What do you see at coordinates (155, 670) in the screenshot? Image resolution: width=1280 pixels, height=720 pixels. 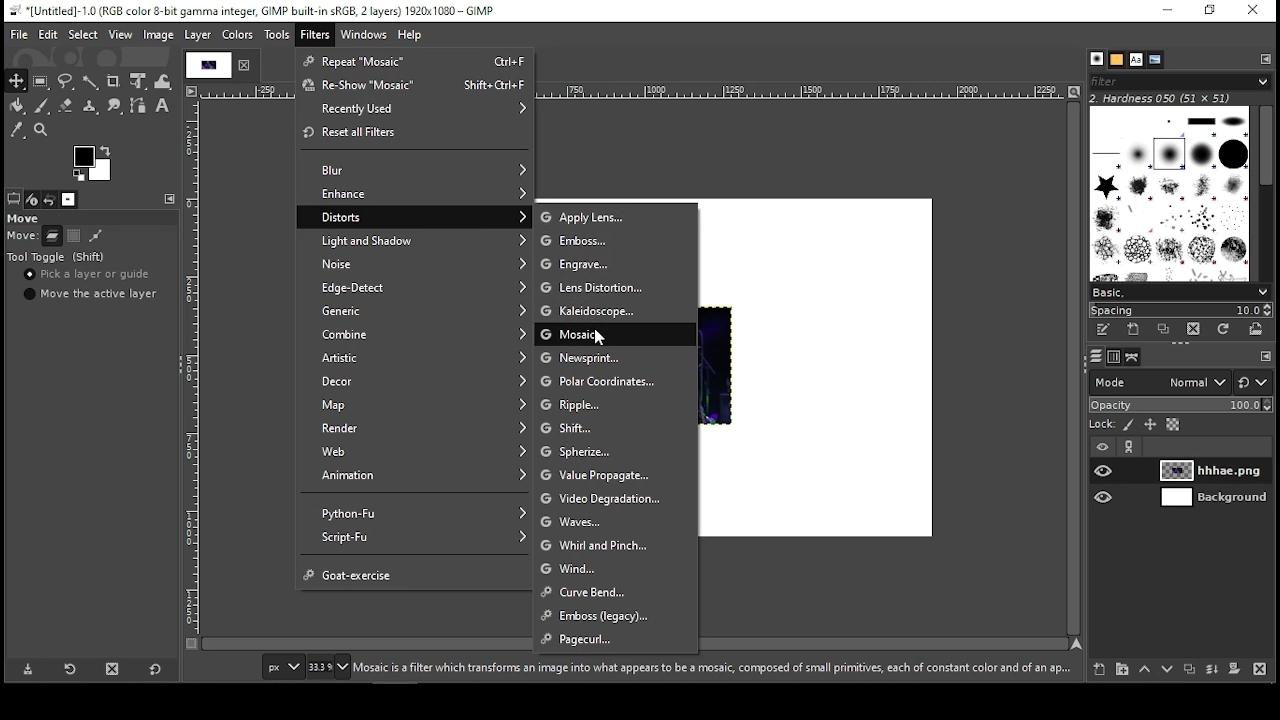 I see `restore to defaults` at bounding box center [155, 670].